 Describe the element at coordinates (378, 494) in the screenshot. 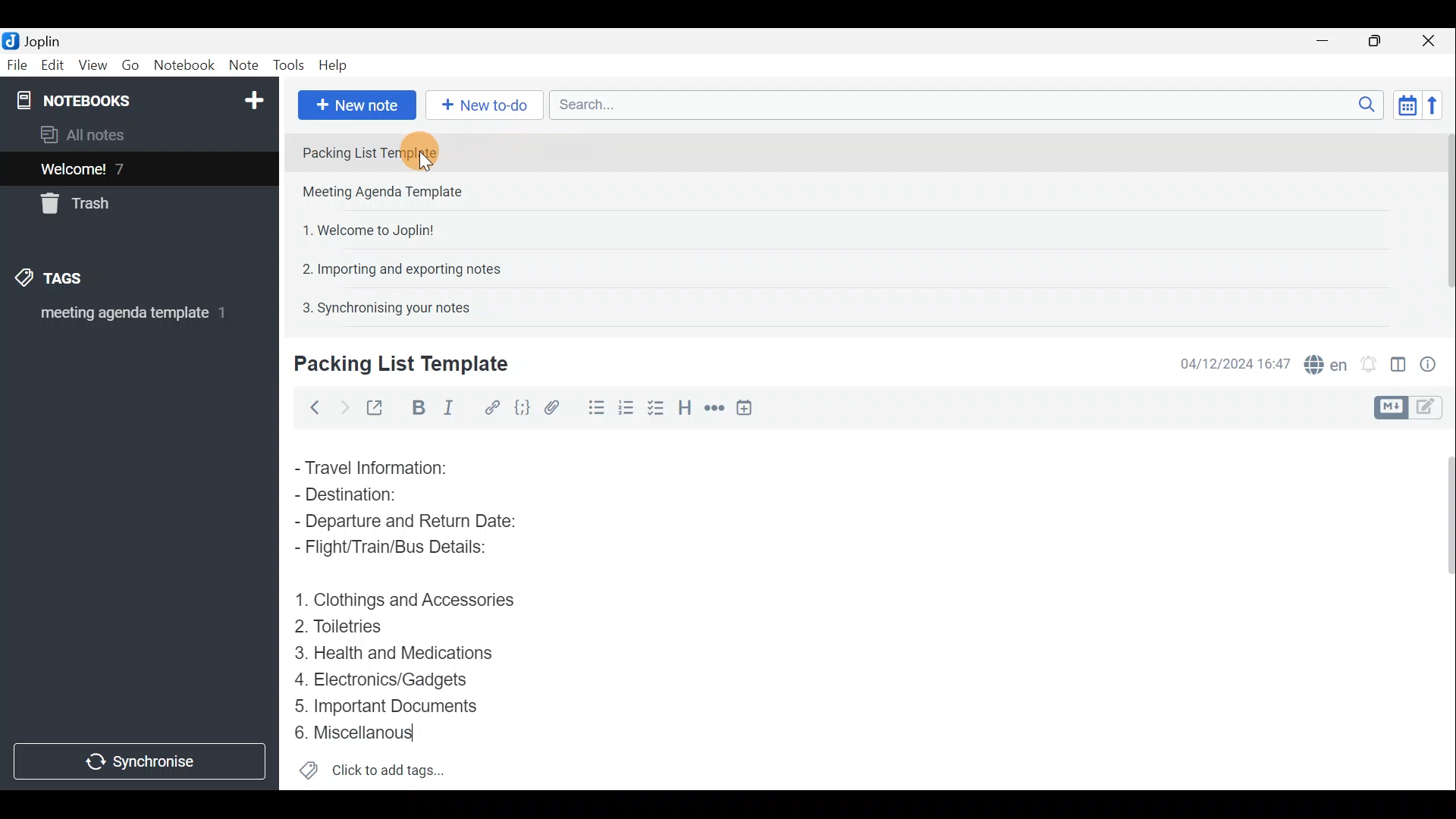

I see `Destination:` at that location.